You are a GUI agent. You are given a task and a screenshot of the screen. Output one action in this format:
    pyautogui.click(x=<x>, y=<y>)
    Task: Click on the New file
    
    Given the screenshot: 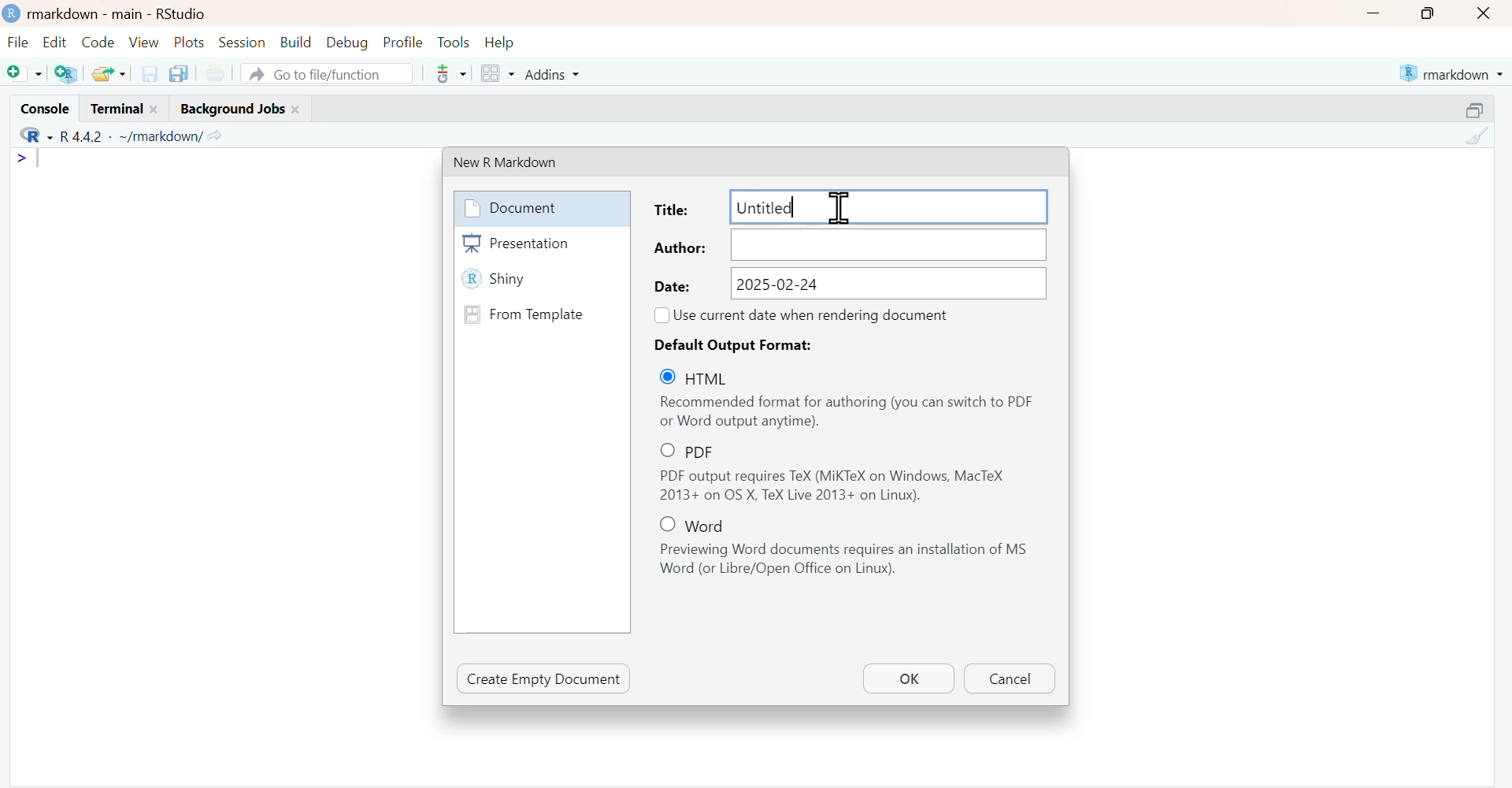 What is the action you would take?
    pyautogui.click(x=24, y=72)
    